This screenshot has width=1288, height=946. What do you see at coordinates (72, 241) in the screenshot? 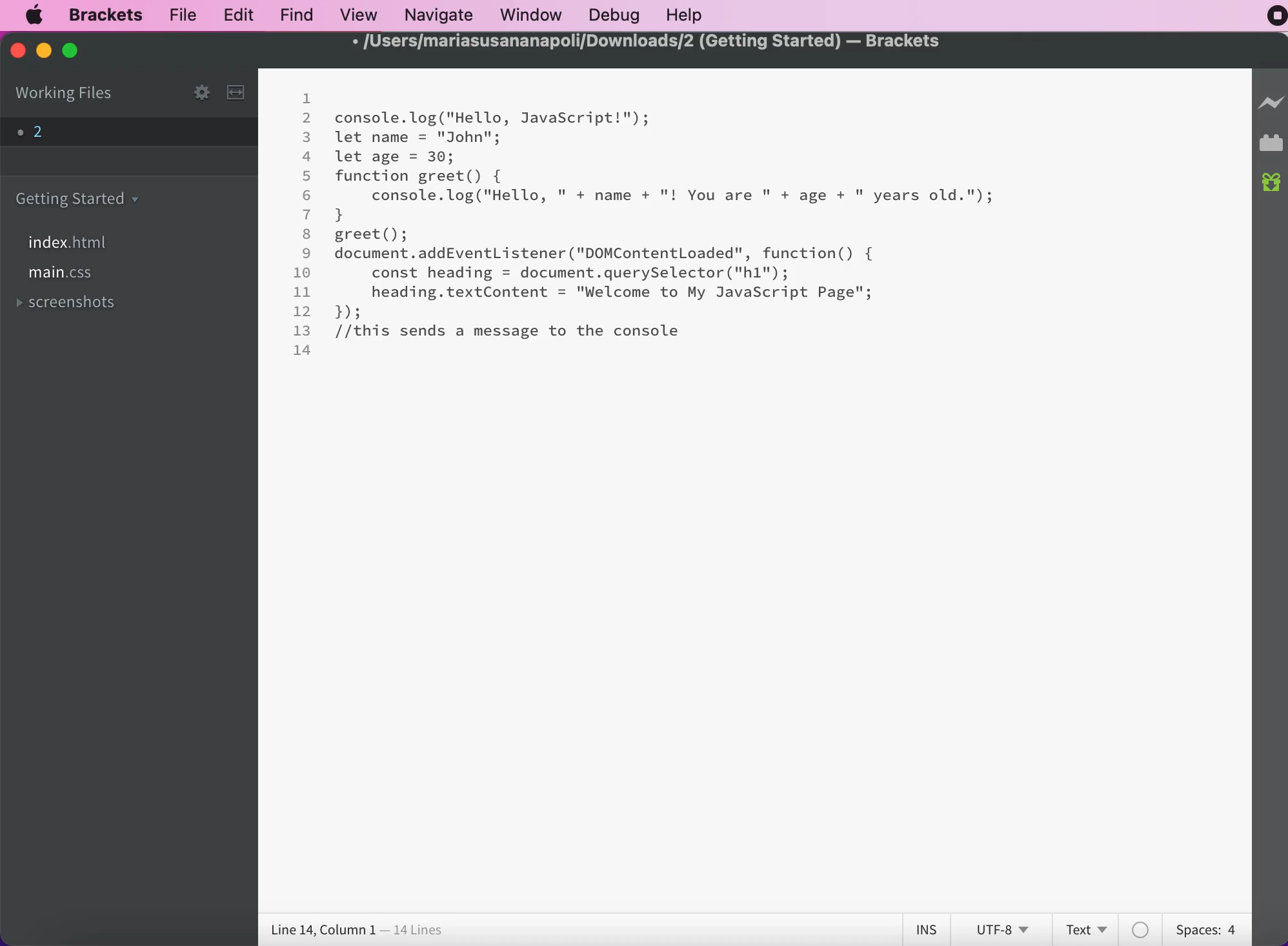
I see `file index.html` at bounding box center [72, 241].